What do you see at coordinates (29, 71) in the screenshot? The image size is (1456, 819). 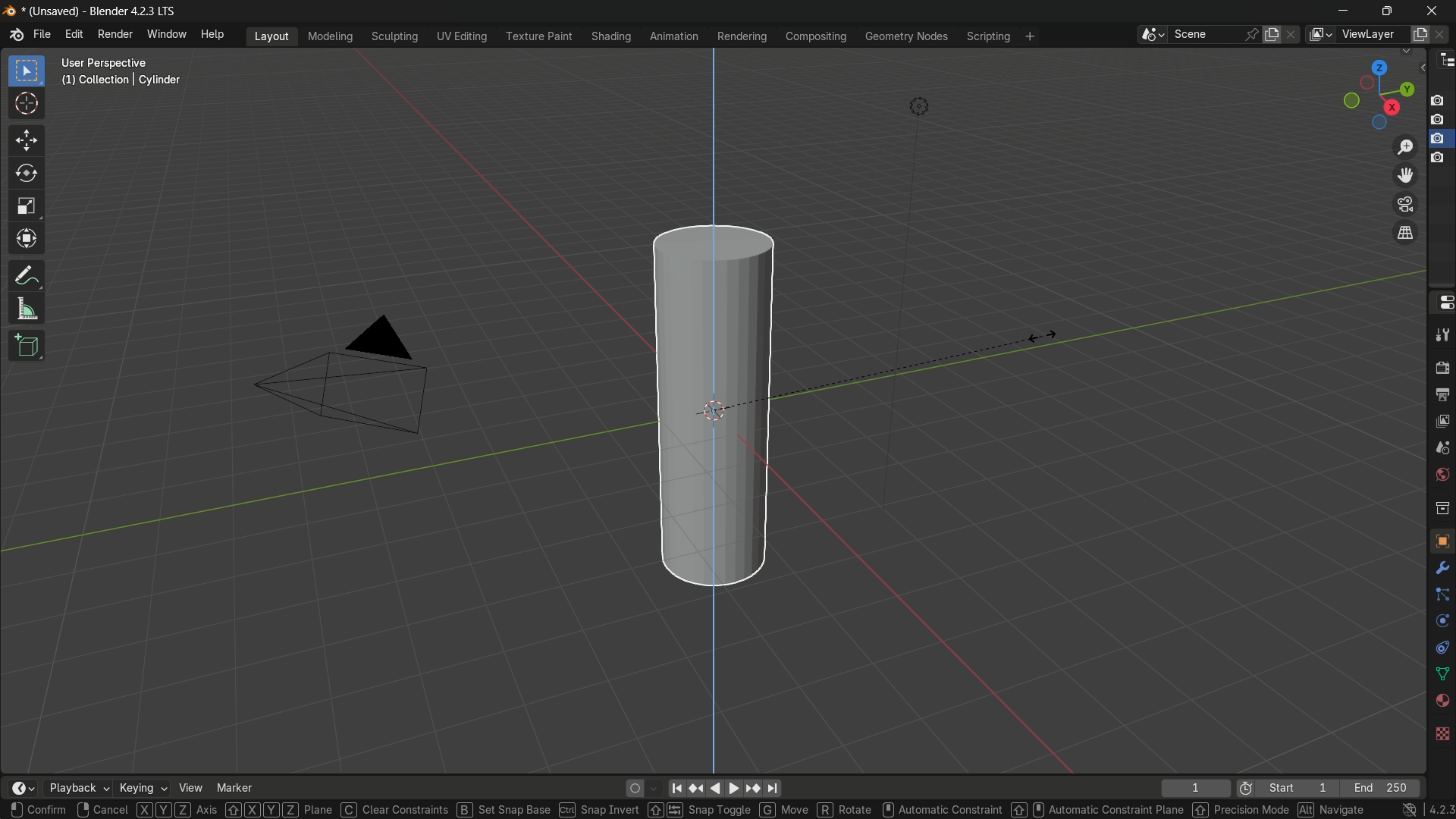 I see `select box` at bounding box center [29, 71].